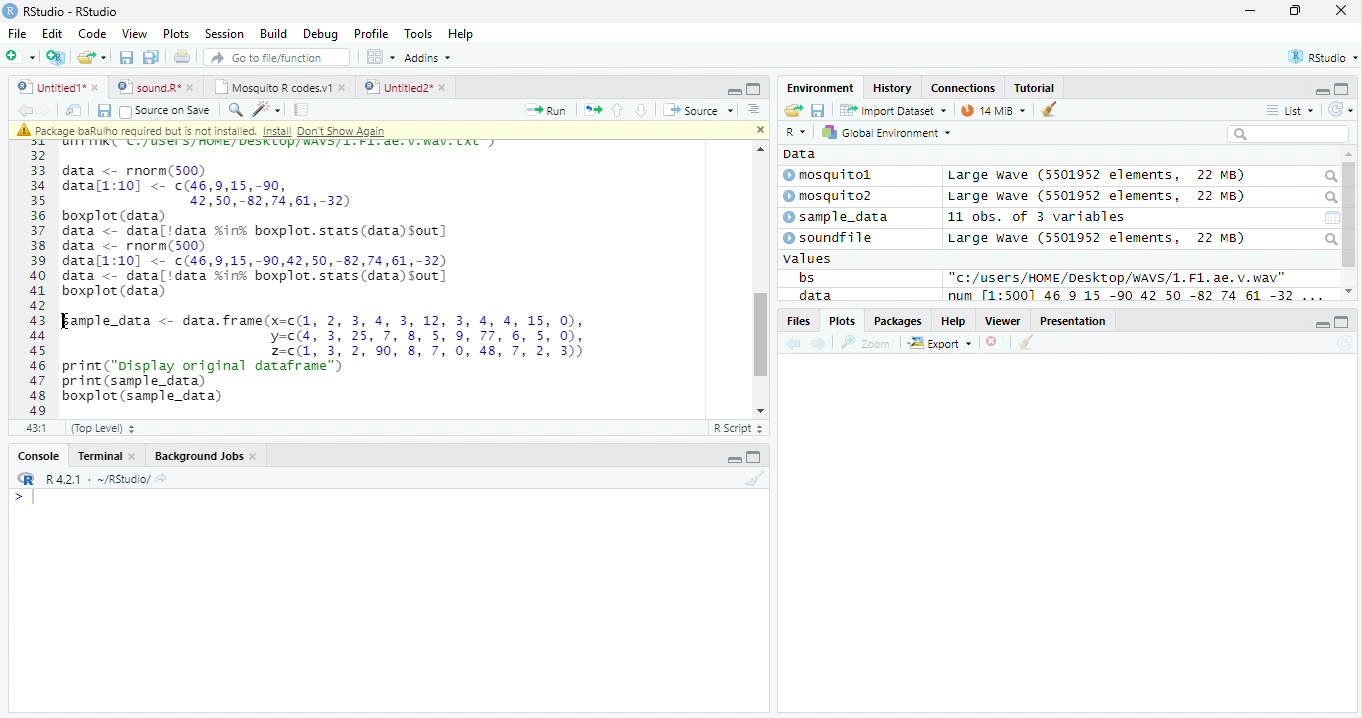 The width and height of the screenshot is (1362, 718). Describe the element at coordinates (808, 259) in the screenshot. I see `values` at that location.